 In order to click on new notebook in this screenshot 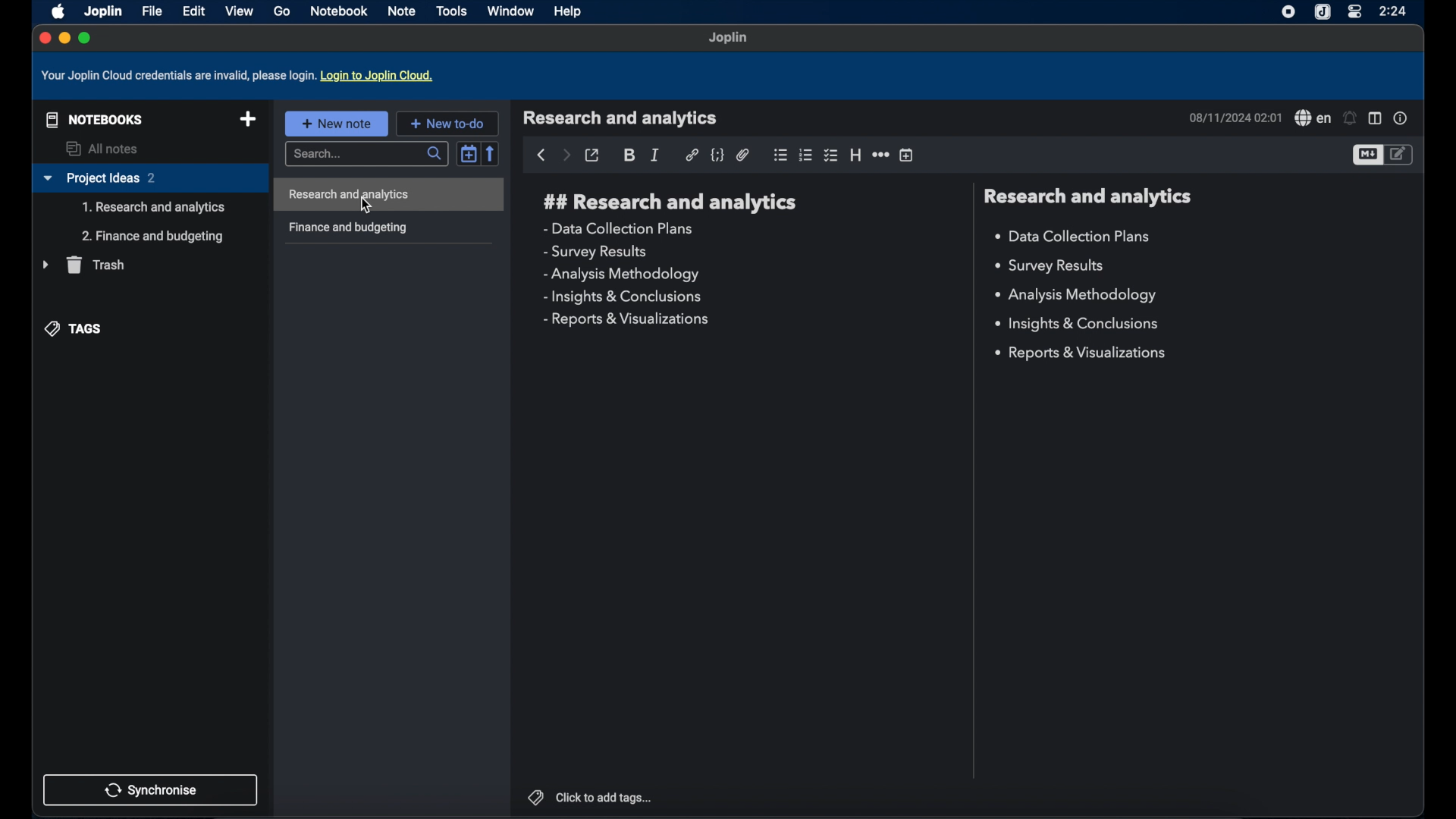, I will do `click(248, 120)`.